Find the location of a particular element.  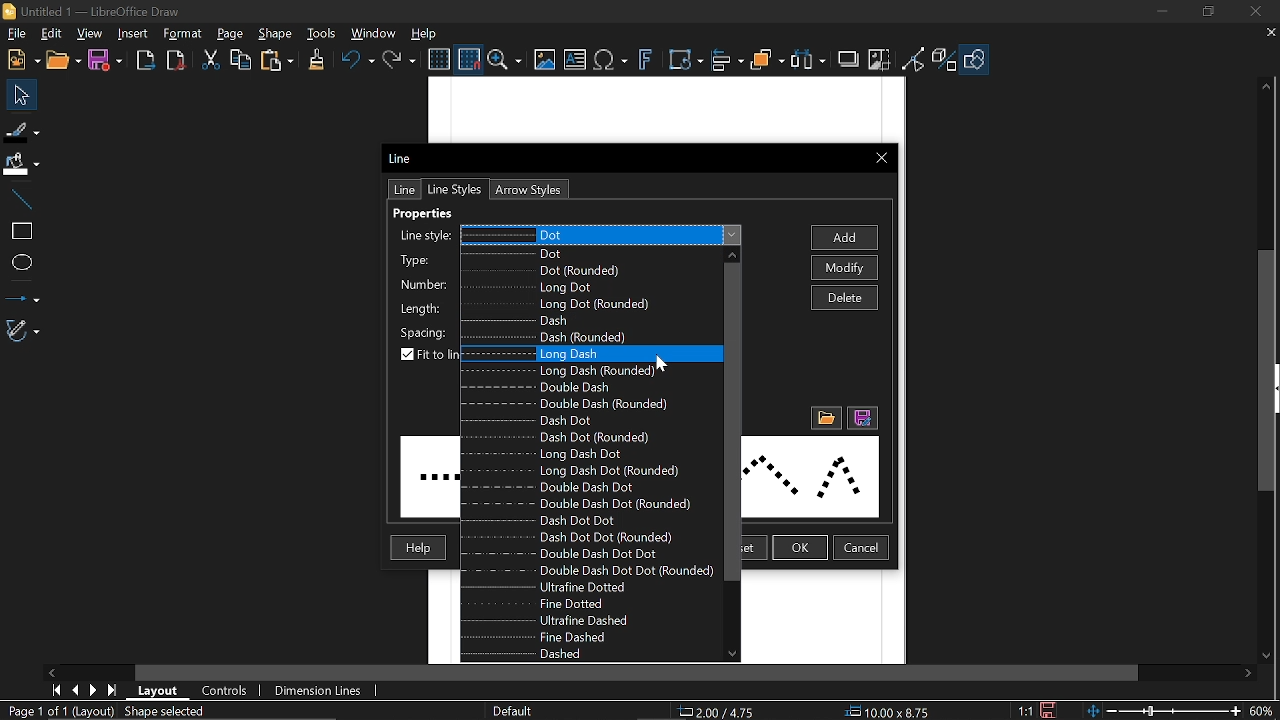

Move right is located at coordinates (1251, 674).